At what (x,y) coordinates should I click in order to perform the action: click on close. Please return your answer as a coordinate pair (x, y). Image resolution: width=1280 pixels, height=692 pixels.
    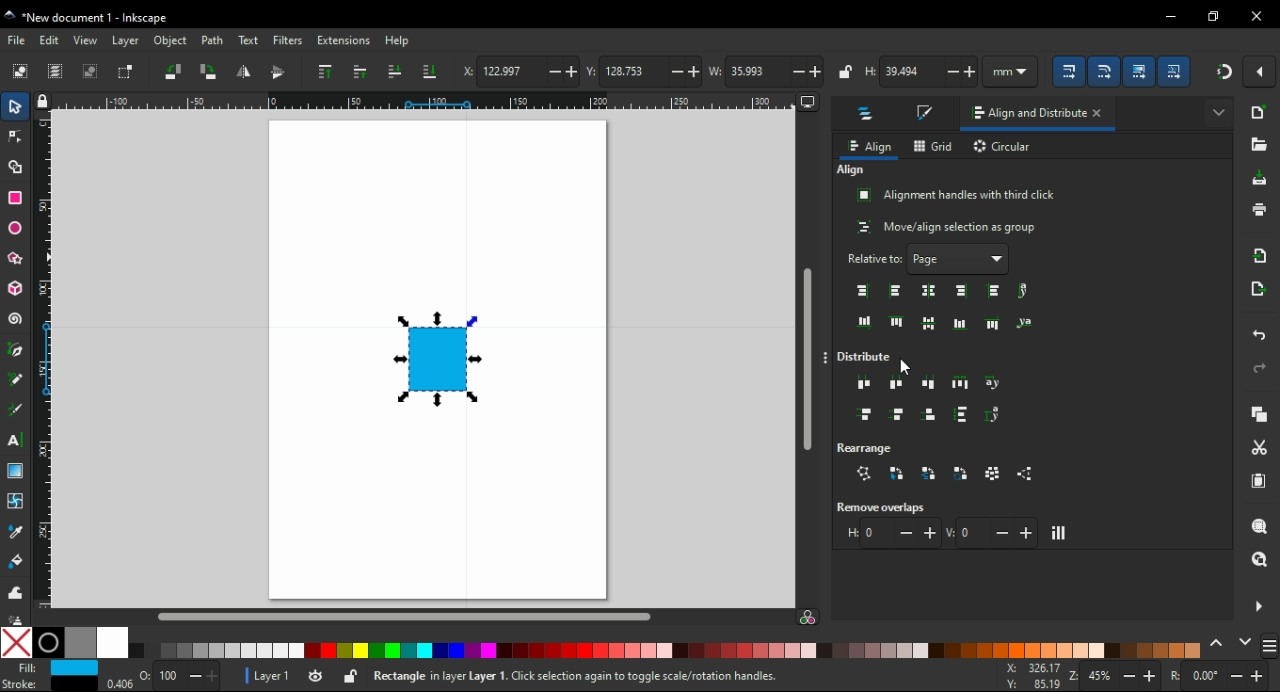
    Looking at the image, I should click on (1102, 115).